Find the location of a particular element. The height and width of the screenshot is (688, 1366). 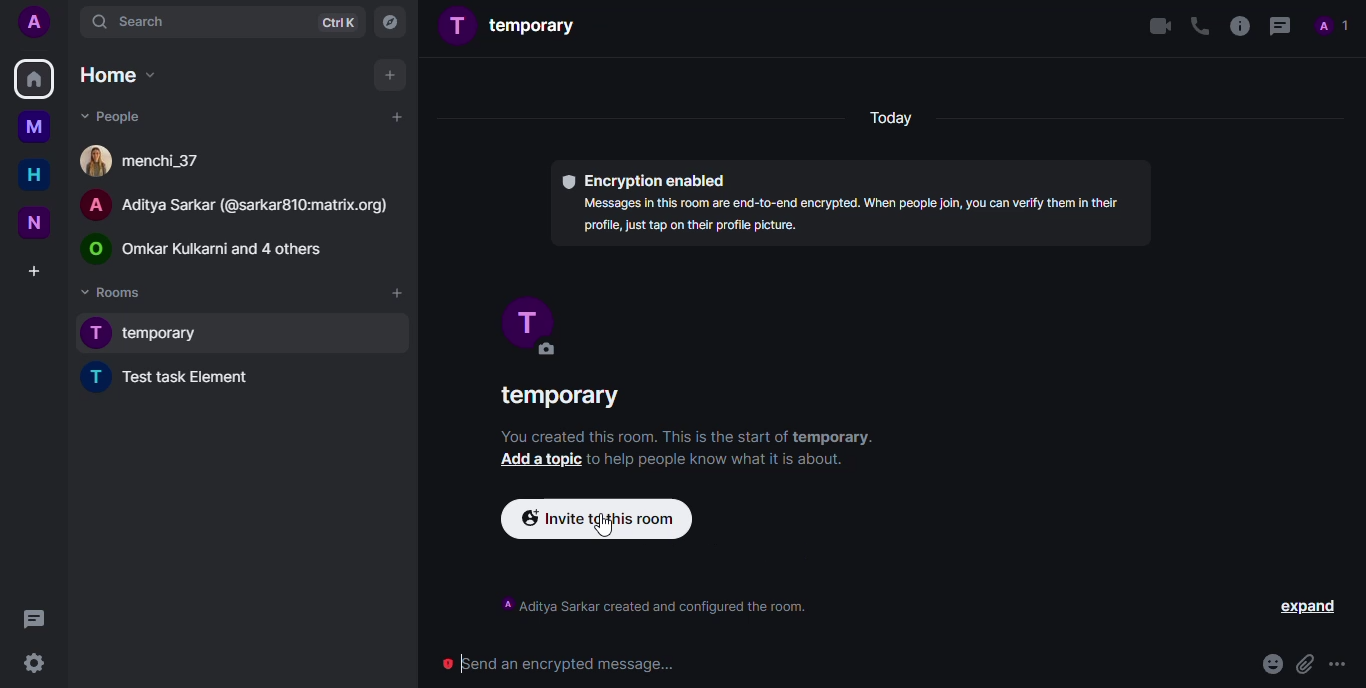

navigator is located at coordinates (389, 24).